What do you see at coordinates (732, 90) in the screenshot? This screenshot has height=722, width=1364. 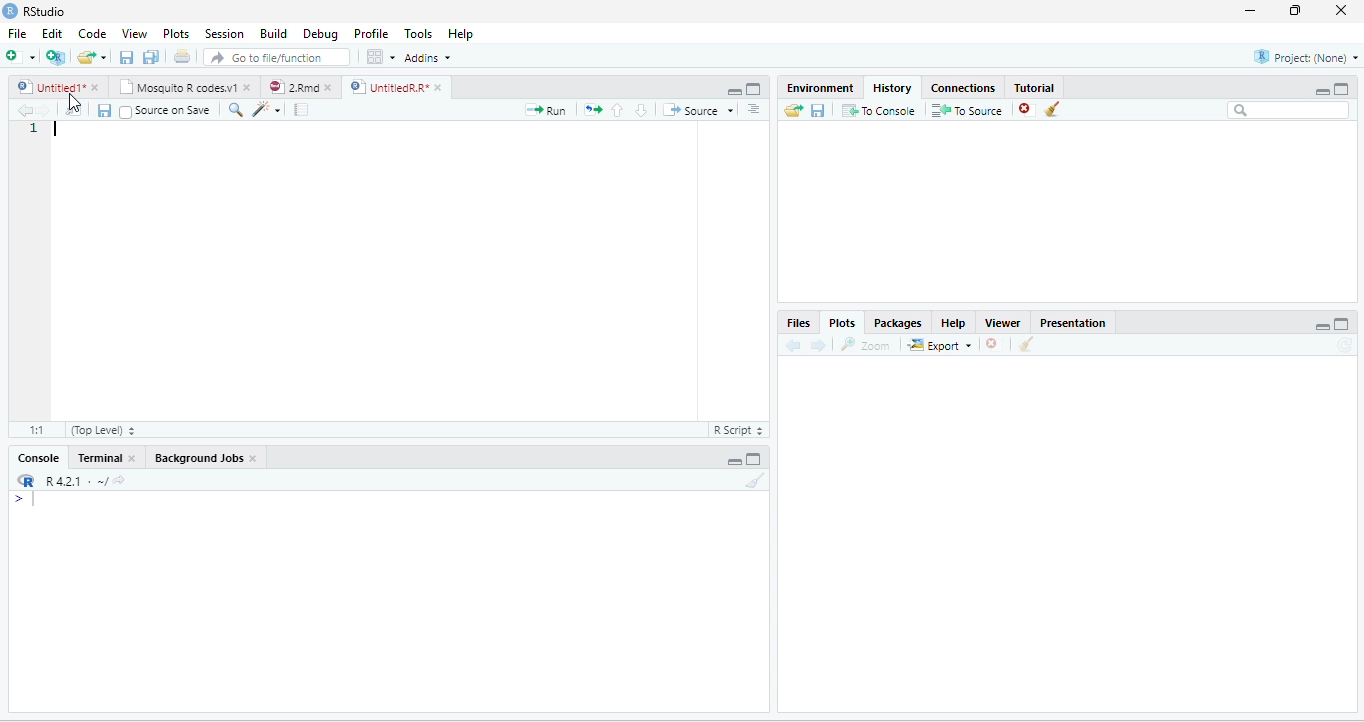 I see `Minimize` at bounding box center [732, 90].